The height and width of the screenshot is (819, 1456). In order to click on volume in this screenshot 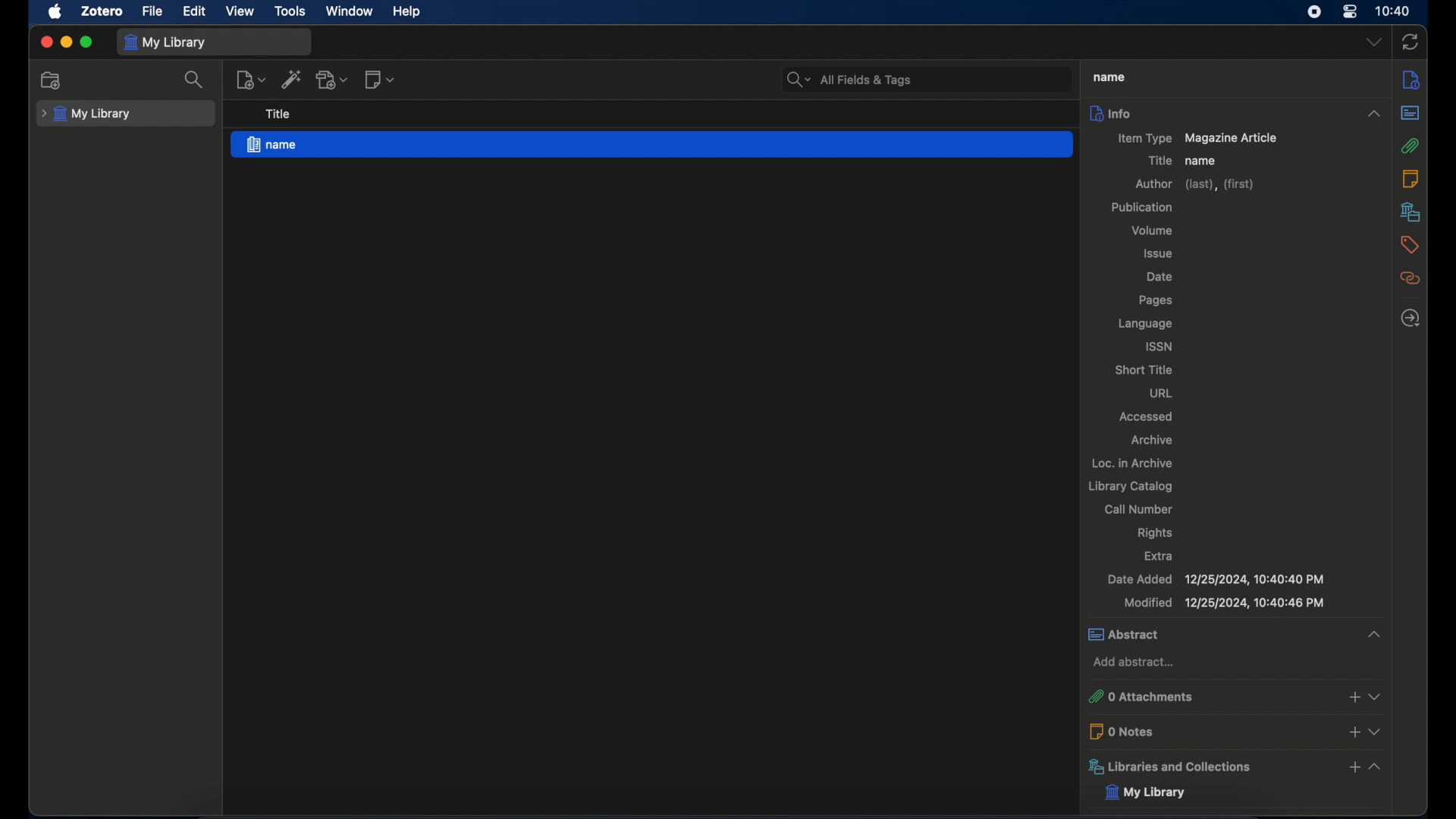, I will do `click(1152, 231)`.